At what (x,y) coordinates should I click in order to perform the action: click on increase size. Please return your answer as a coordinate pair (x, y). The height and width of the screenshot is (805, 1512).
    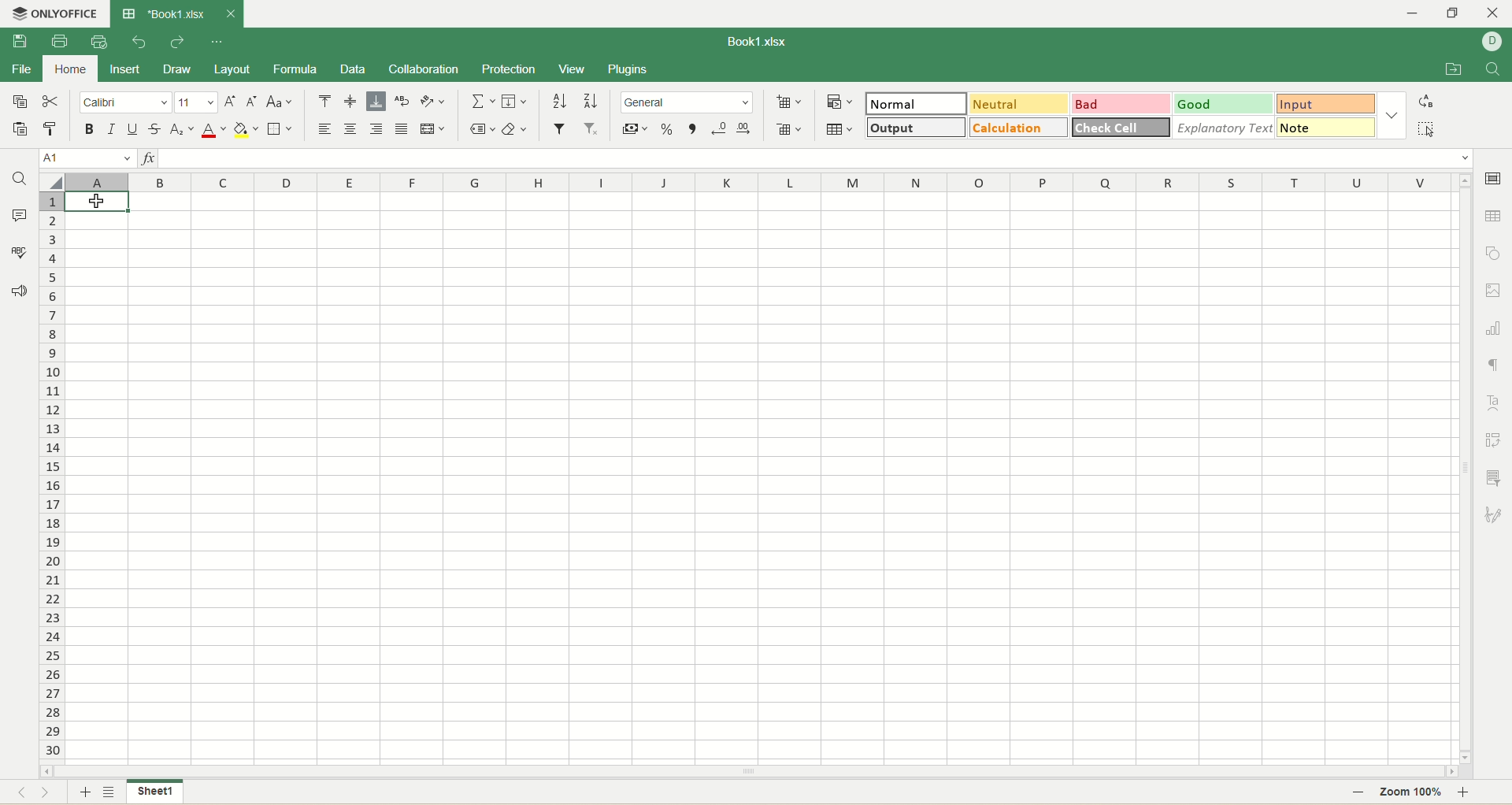
    Looking at the image, I should click on (232, 102).